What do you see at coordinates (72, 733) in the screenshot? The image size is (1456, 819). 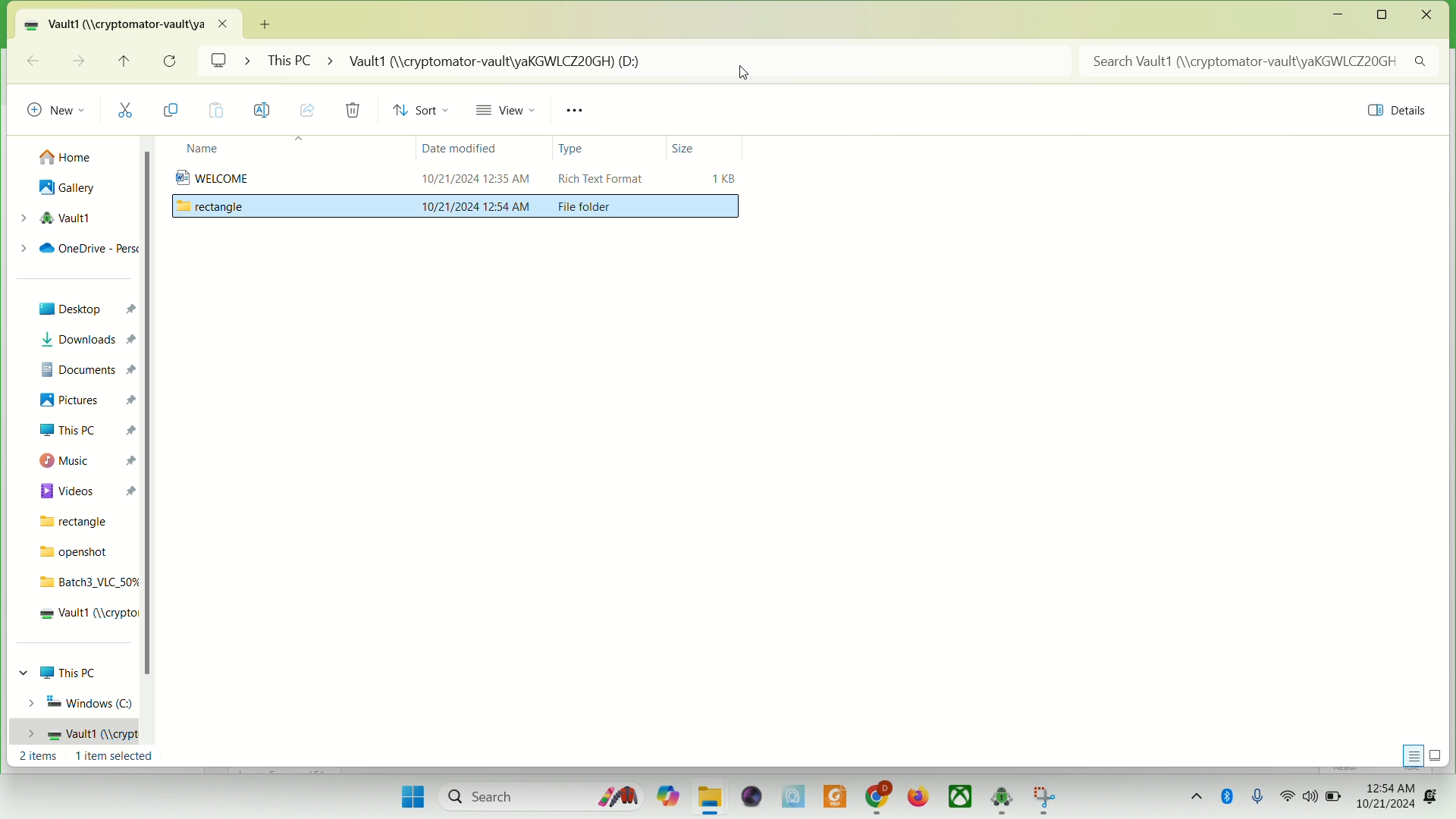 I see `vault1` at bounding box center [72, 733].